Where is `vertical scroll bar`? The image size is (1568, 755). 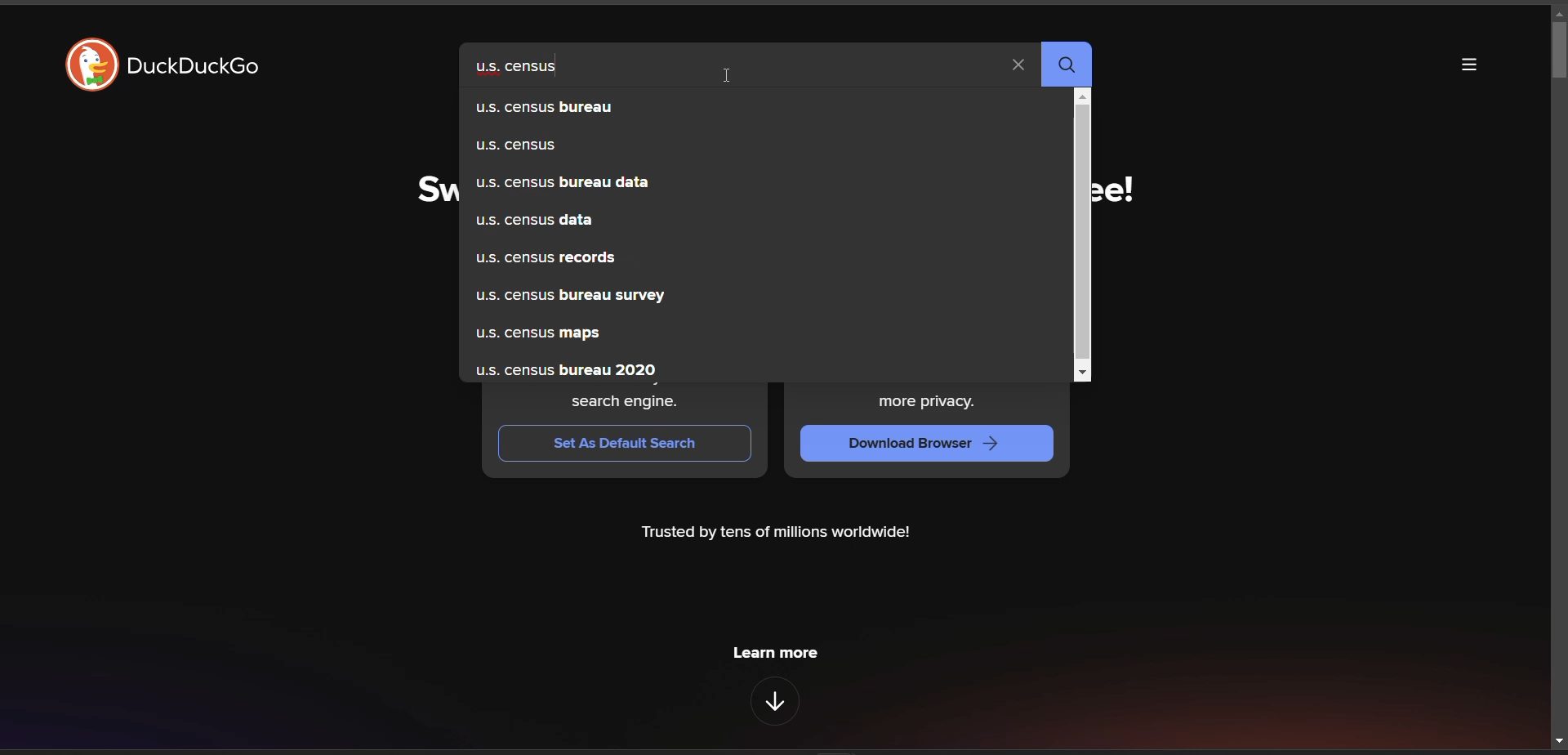
vertical scroll bar is located at coordinates (1558, 377).